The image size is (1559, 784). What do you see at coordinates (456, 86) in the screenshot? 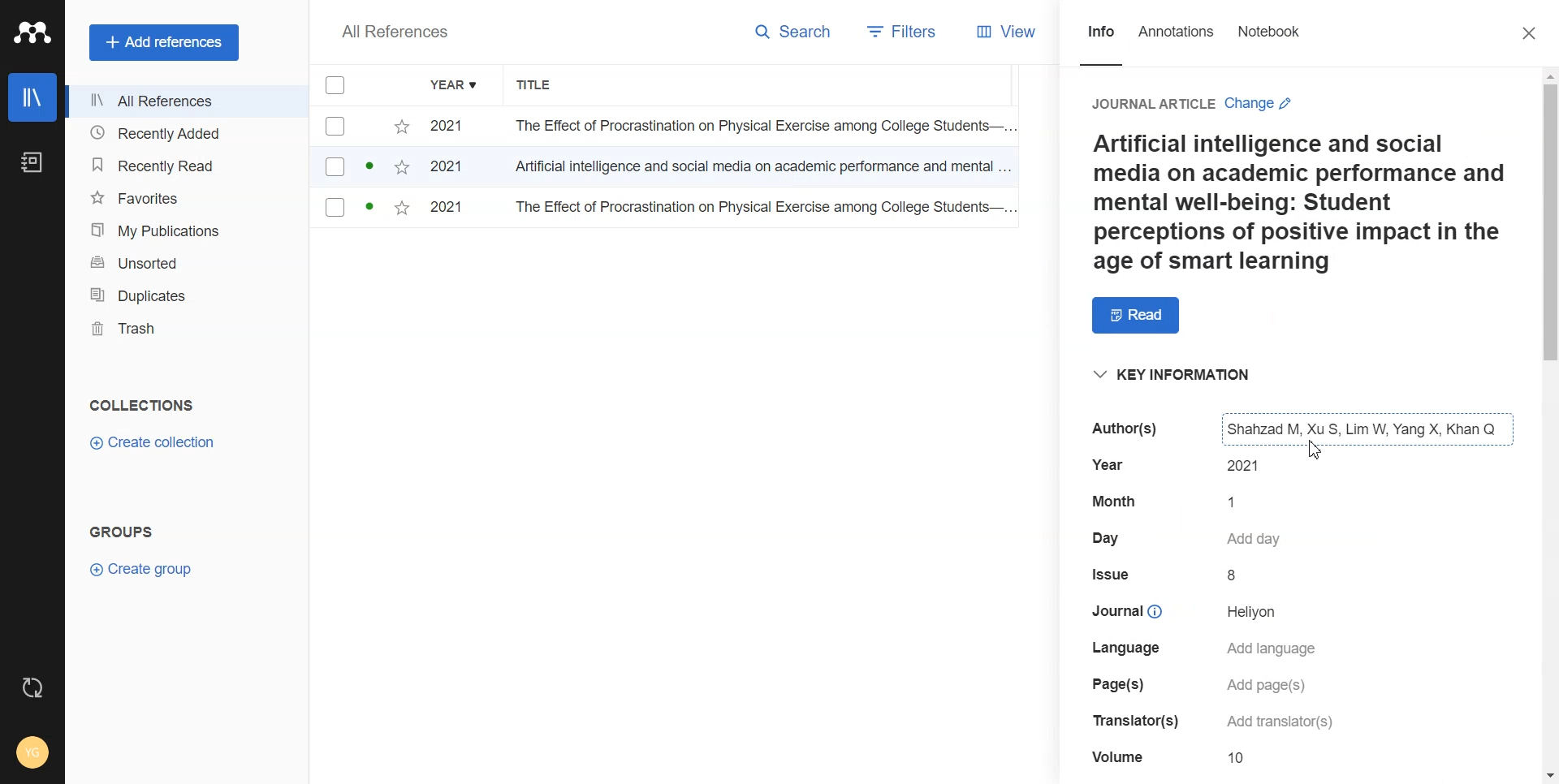
I see `Year` at bounding box center [456, 86].